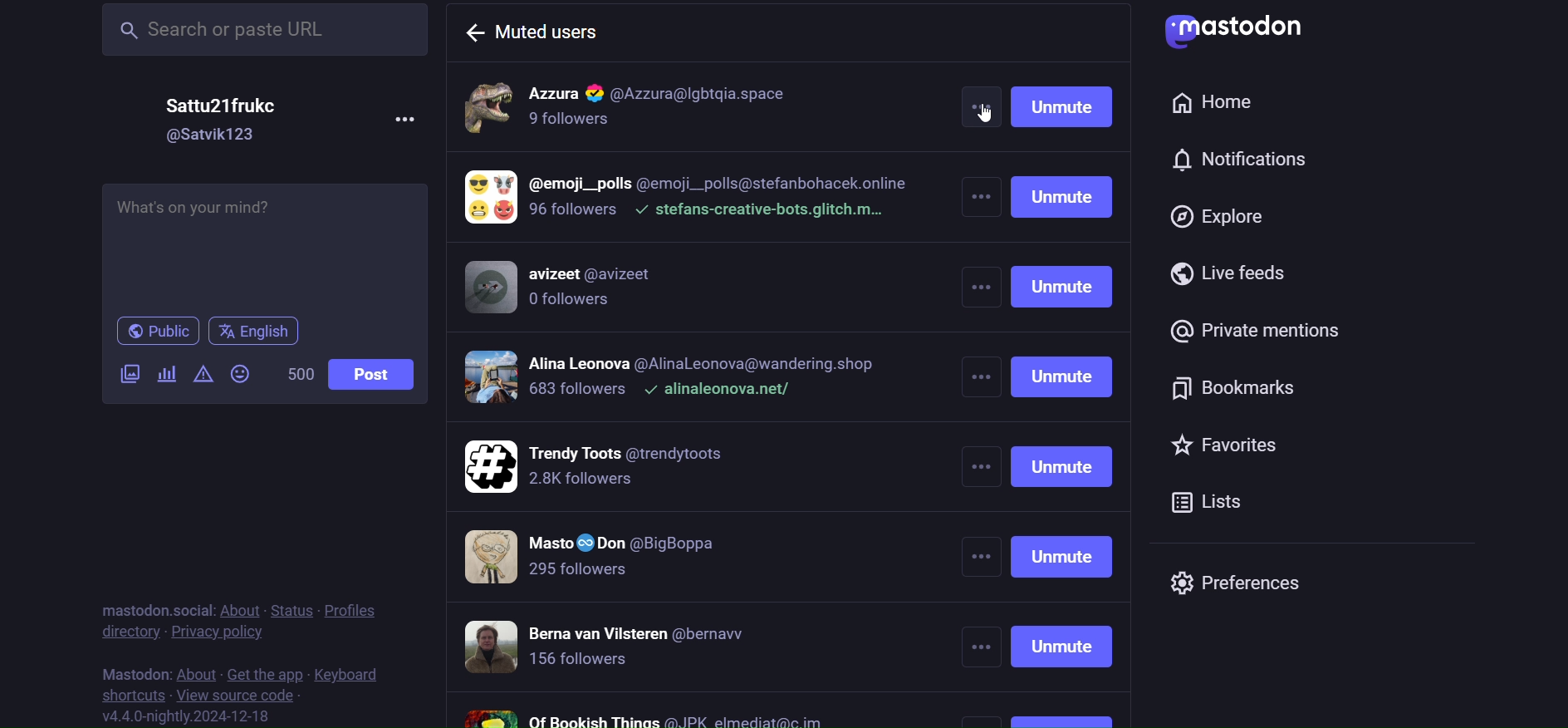 This screenshot has height=728, width=1568. I want to click on shortcut, so click(135, 693).